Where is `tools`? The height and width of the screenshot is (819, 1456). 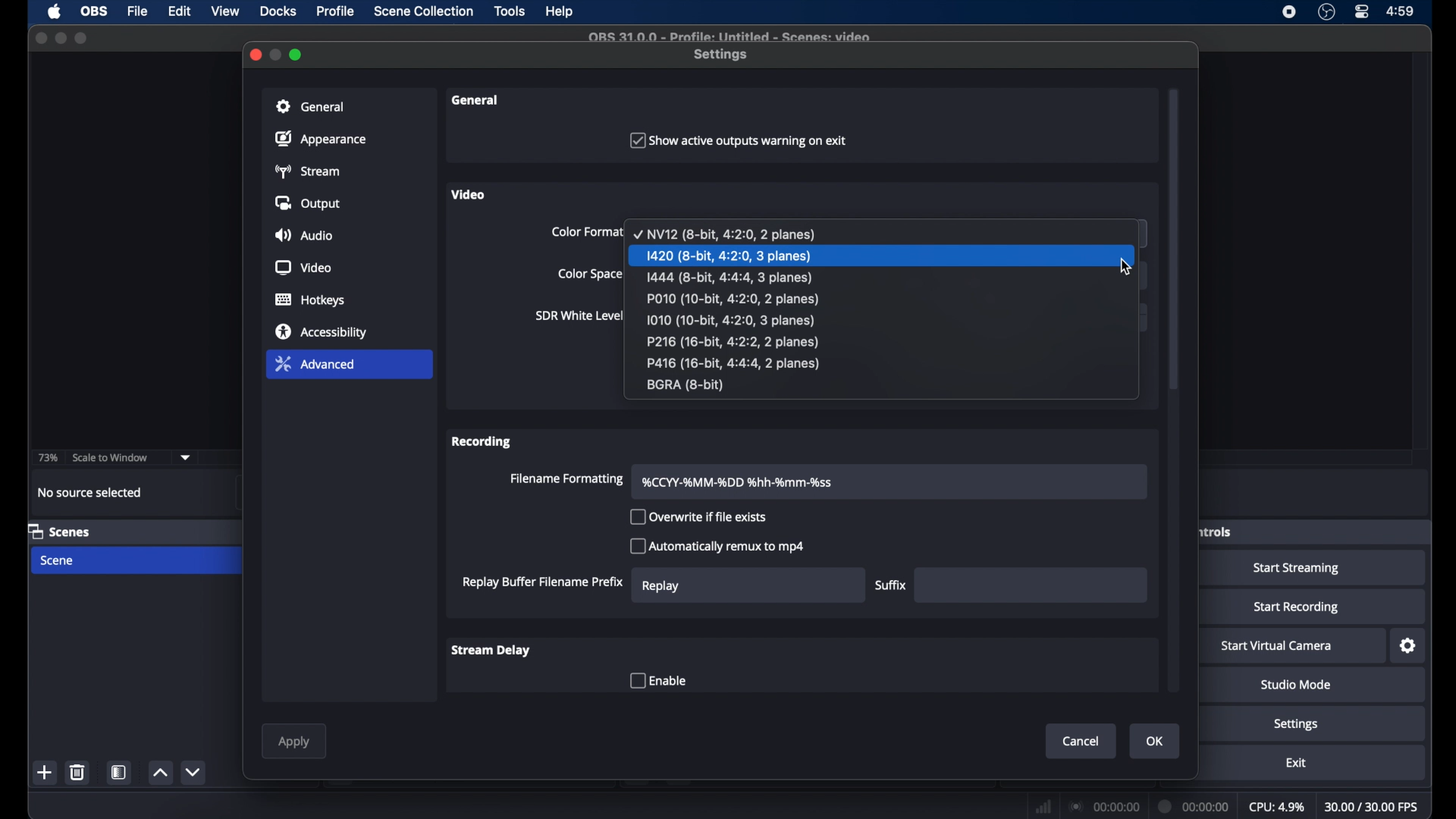
tools is located at coordinates (510, 11).